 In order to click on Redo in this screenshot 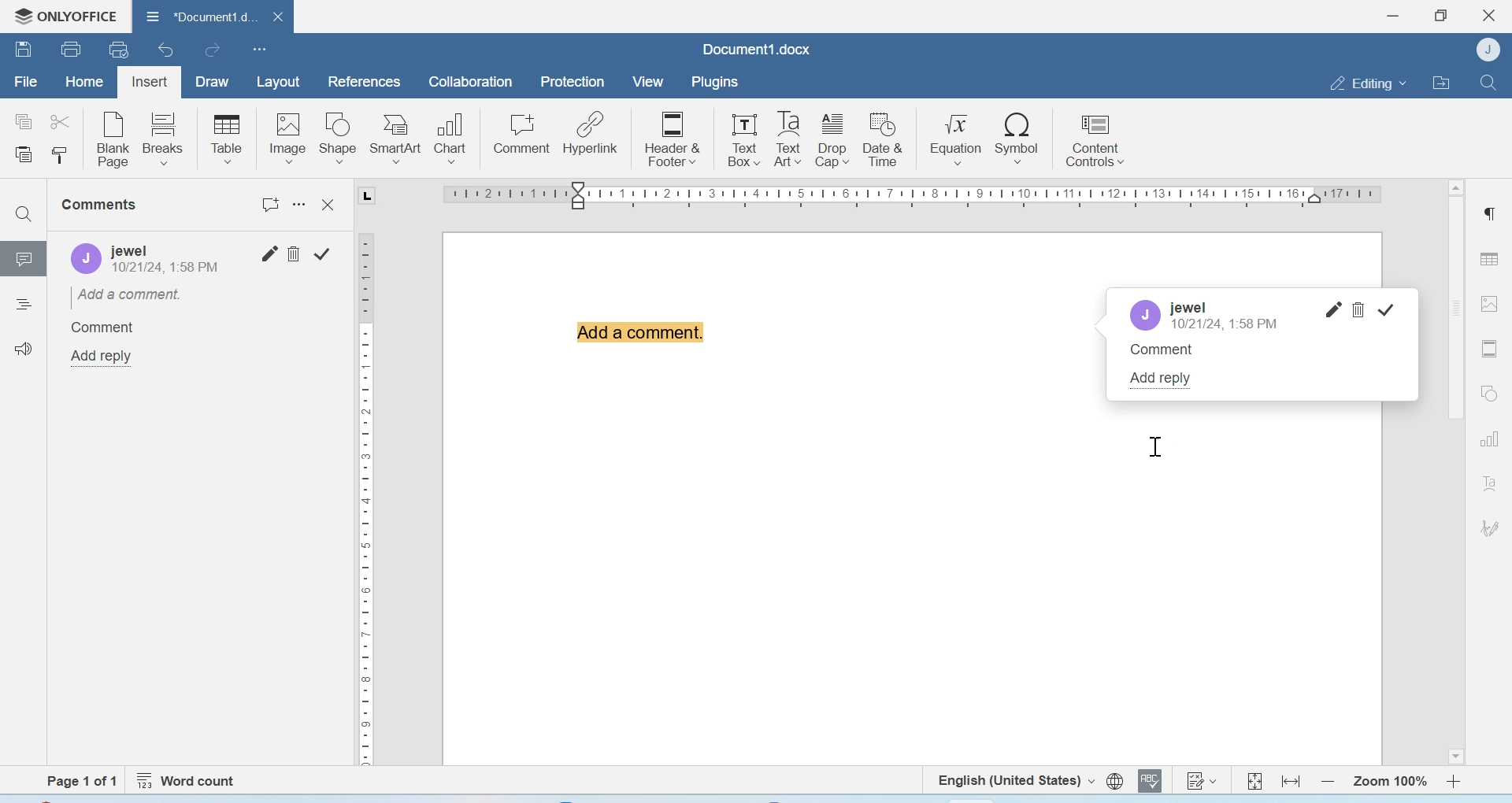, I will do `click(211, 50)`.